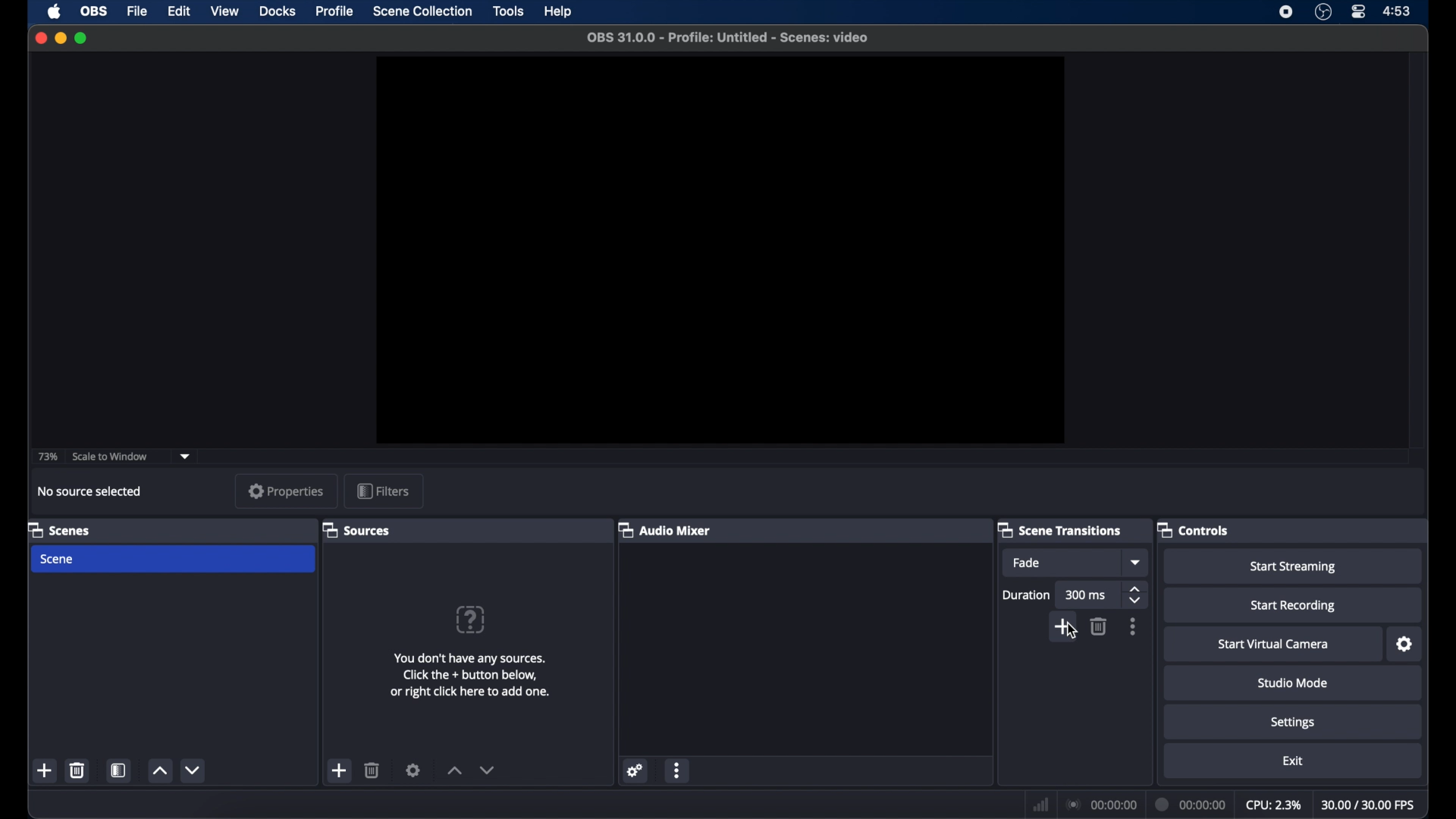 The width and height of the screenshot is (1456, 819). Describe the element at coordinates (46, 457) in the screenshot. I see `73%` at that location.